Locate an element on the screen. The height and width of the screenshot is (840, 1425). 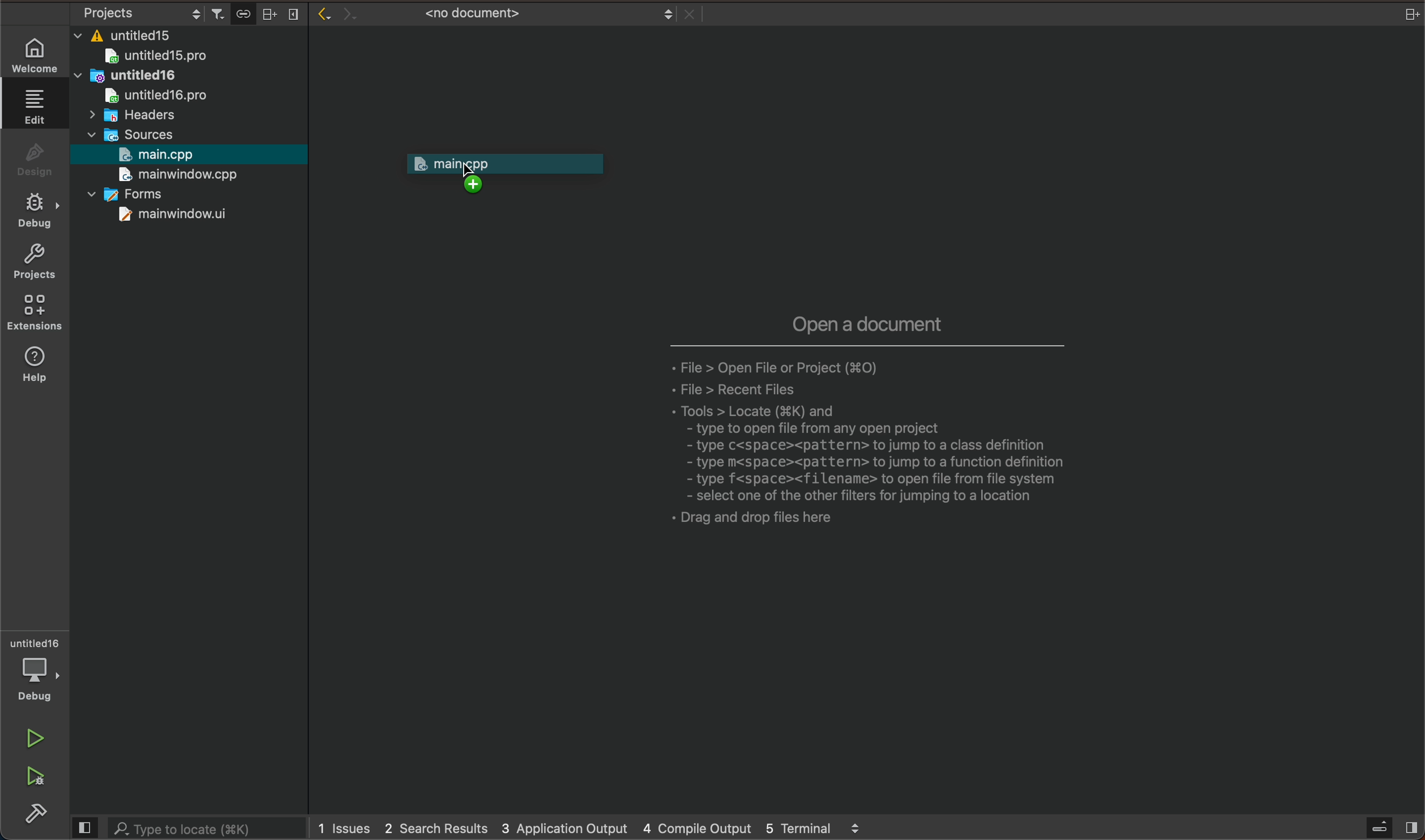
untitled16pro is located at coordinates (159, 95).